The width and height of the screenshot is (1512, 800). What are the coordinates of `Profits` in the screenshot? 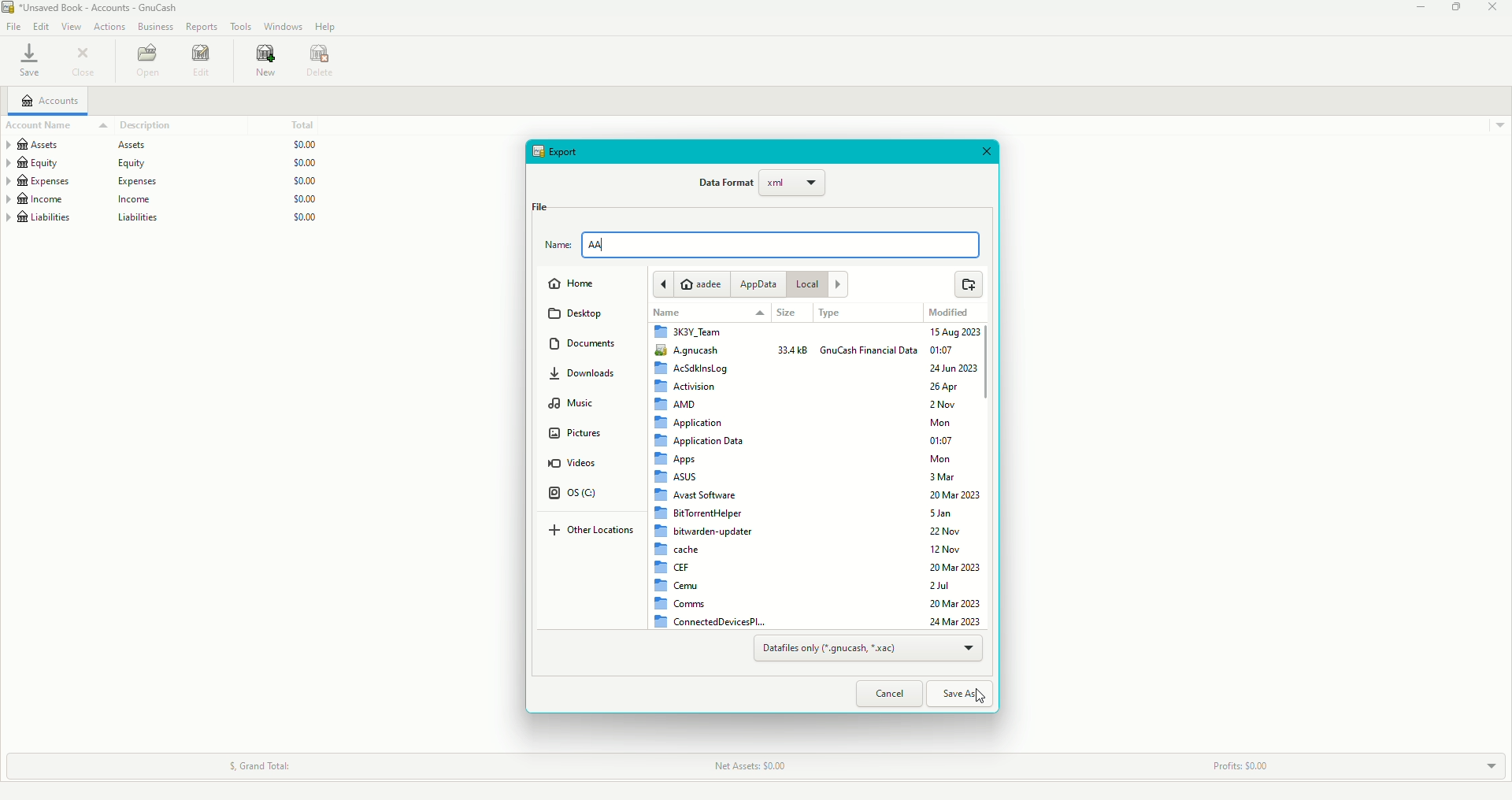 It's located at (1237, 761).